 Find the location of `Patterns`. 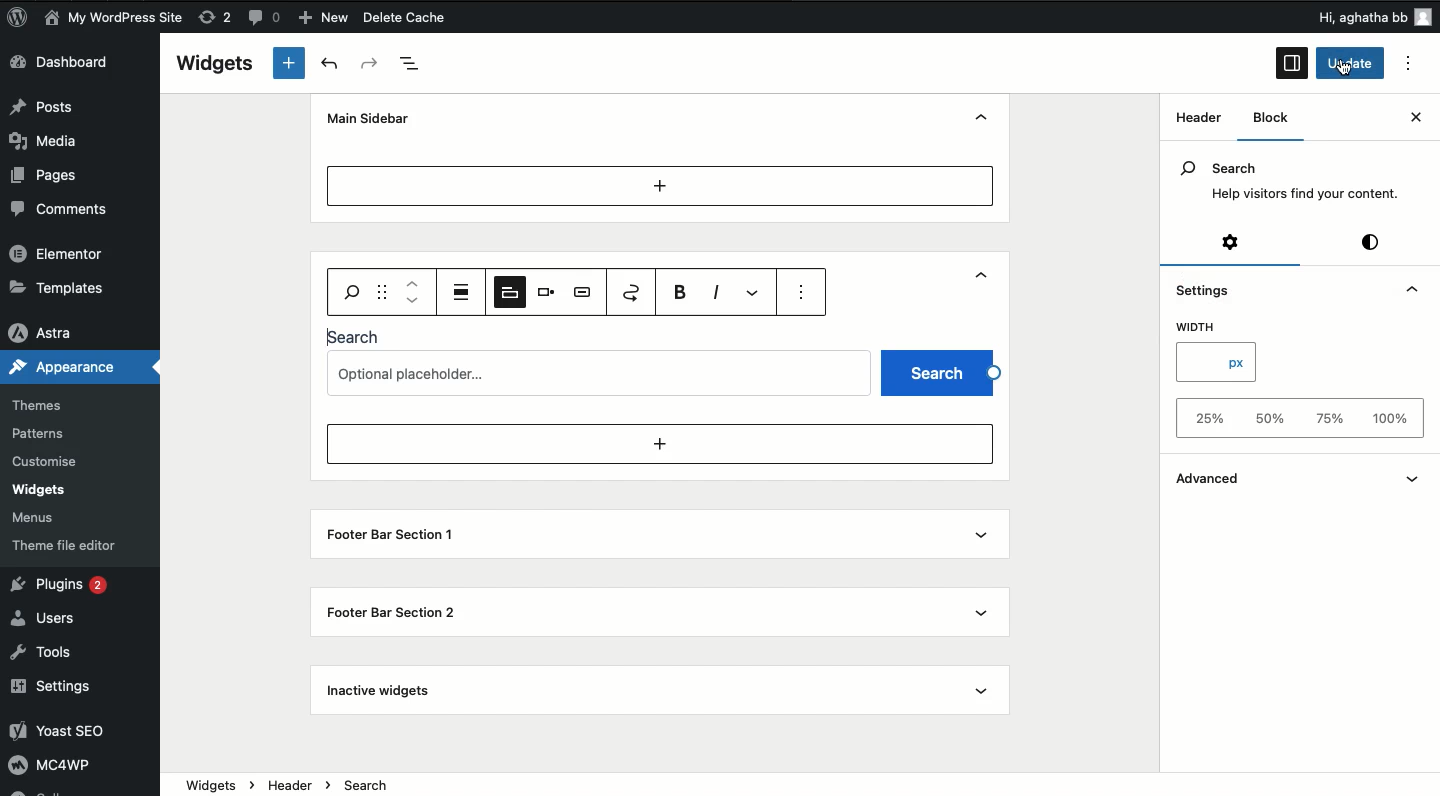

Patterns is located at coordinates (44, 434).